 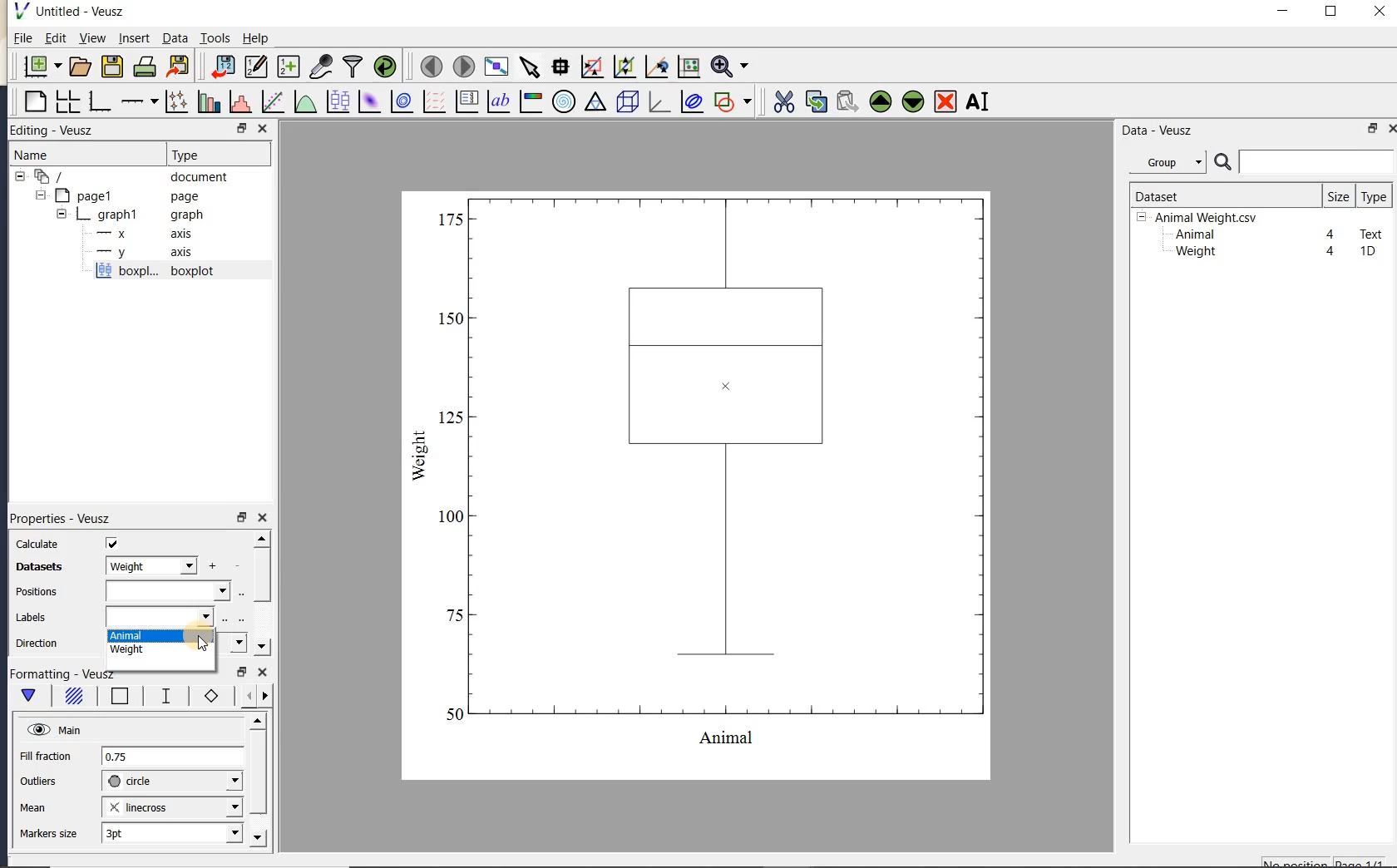 What do you see at coordinates (1331, 12) in the screenshot?
I see `maximize` at bounding box center [1331, 12].